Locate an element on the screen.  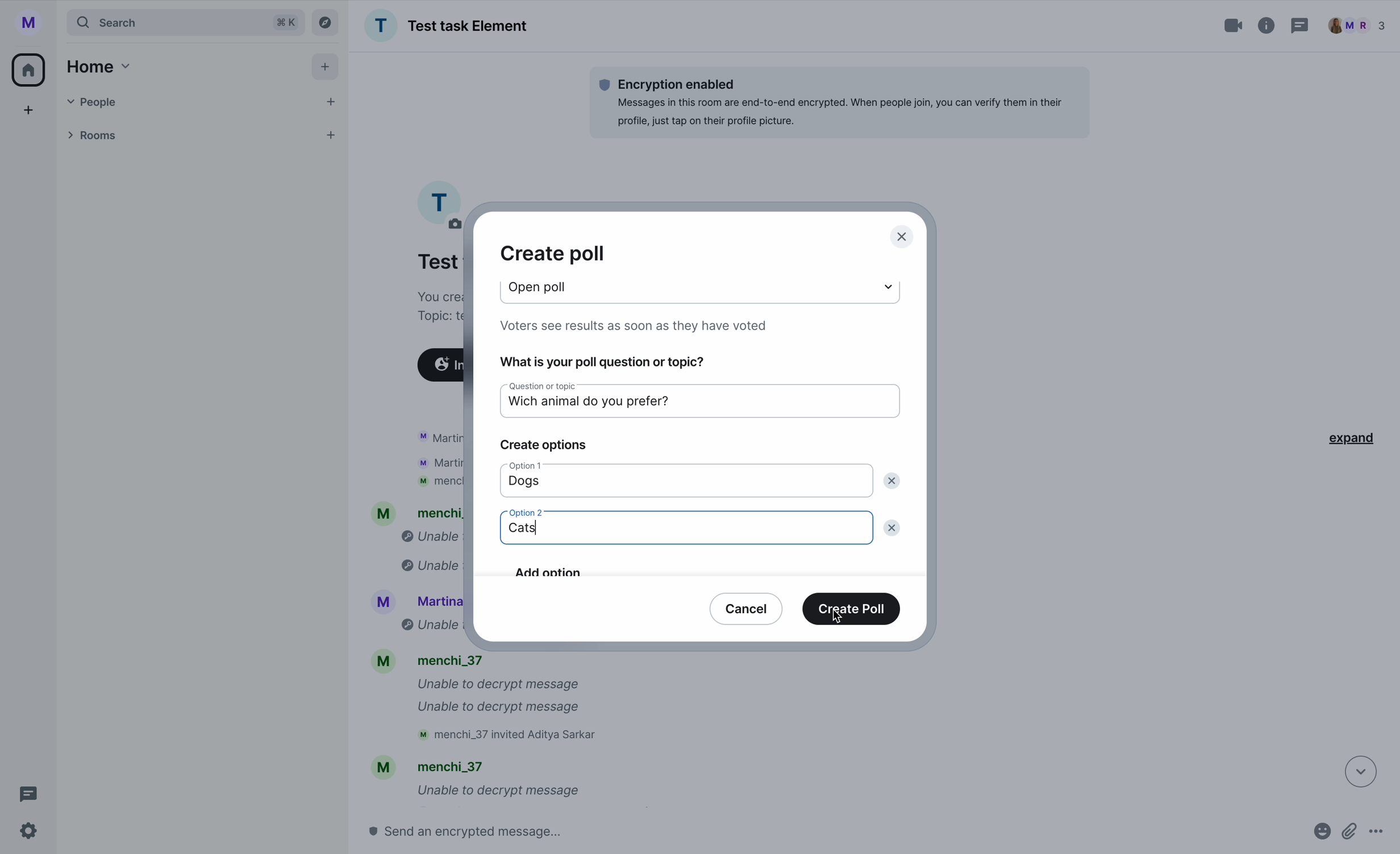
down arrow is located at coordinates (1353, 770).